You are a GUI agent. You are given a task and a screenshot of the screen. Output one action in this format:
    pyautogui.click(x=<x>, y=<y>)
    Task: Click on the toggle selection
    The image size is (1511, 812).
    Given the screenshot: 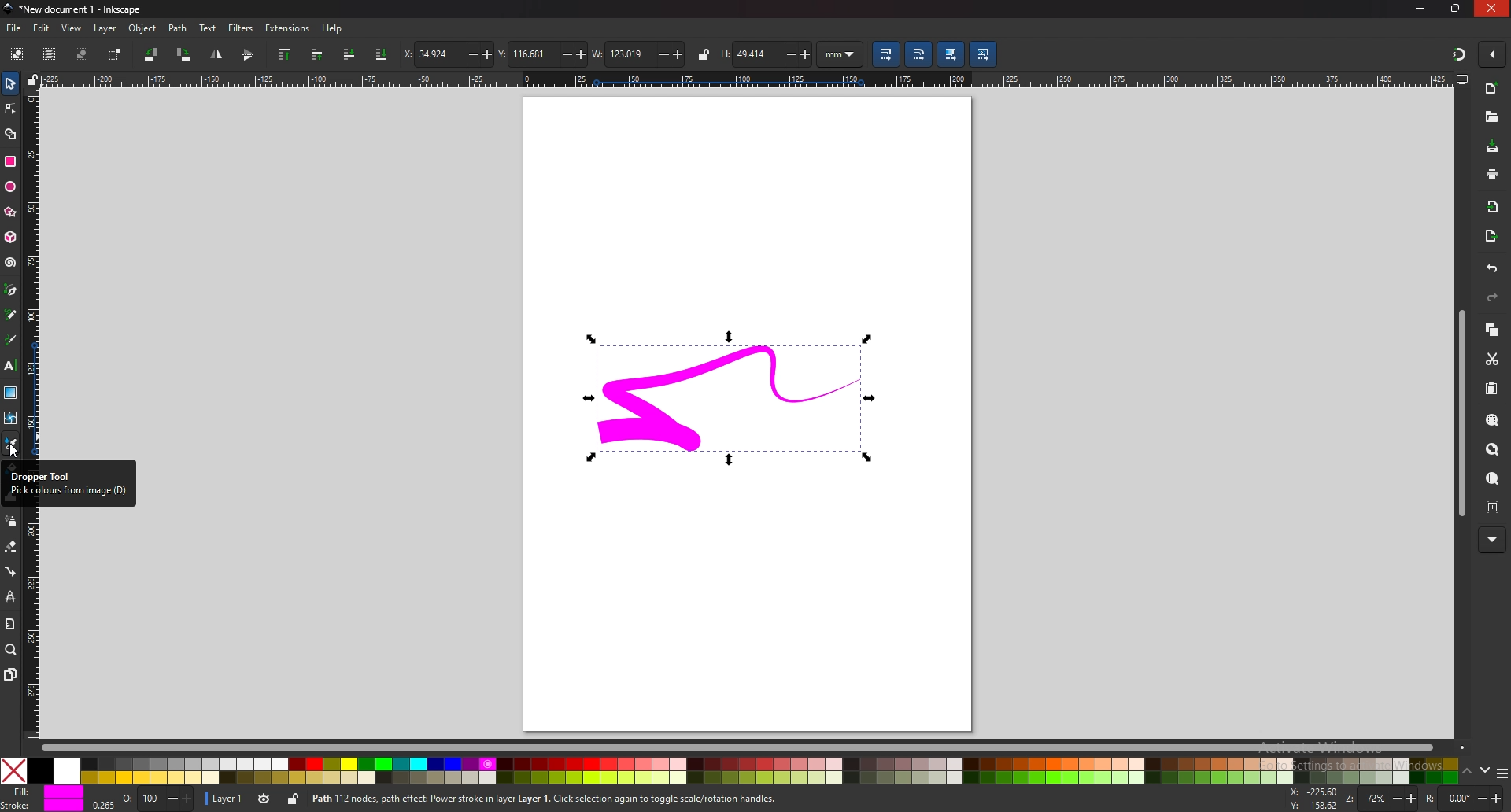 What is the action you would take?
    pyautogui.click(x=116, y=54)
    